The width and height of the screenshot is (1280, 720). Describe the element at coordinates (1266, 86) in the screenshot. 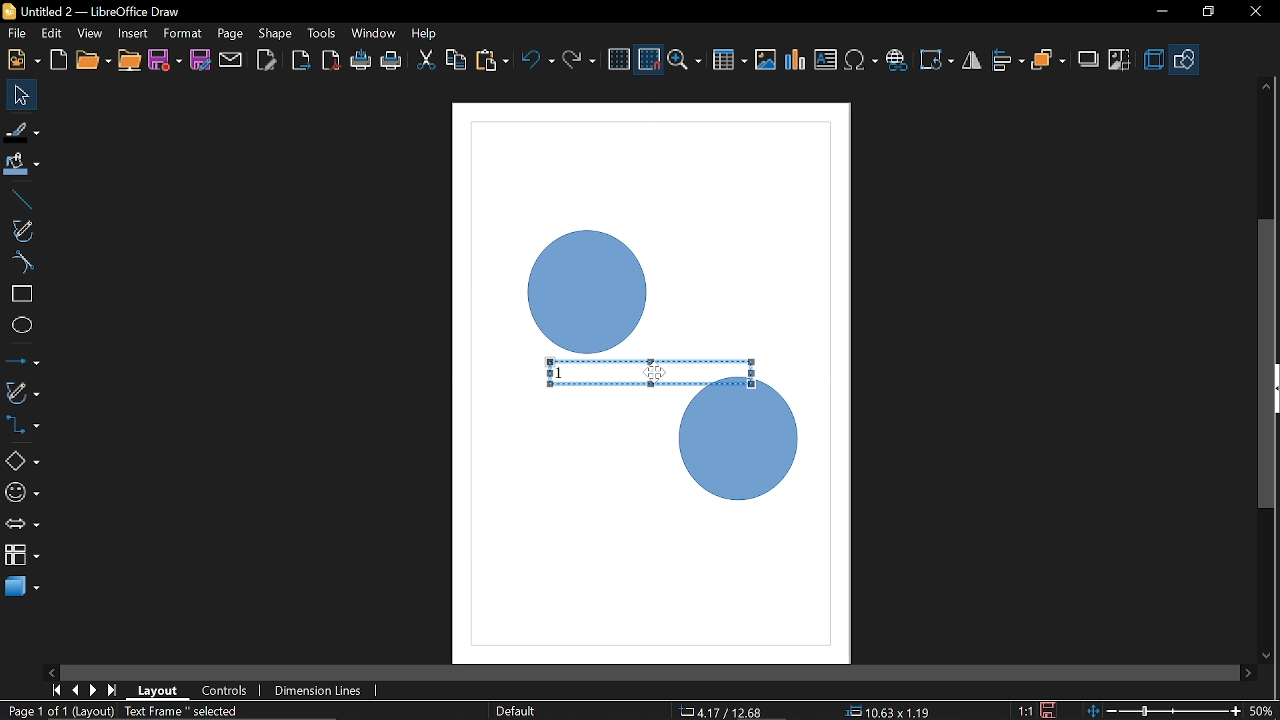

I see `Move up` at that location.